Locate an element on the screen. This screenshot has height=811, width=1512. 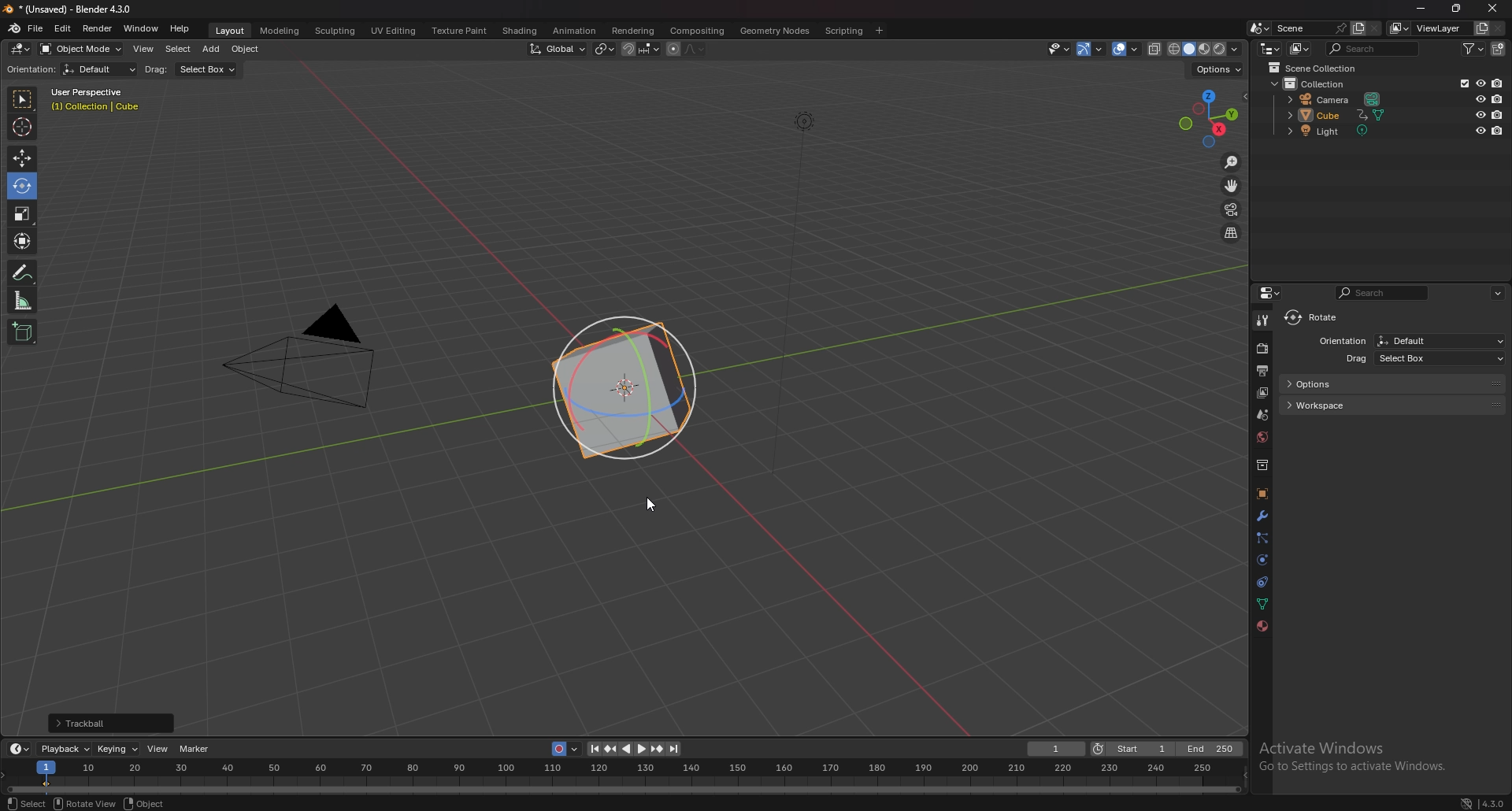
Rotate view is located at coordinates (84, 803).